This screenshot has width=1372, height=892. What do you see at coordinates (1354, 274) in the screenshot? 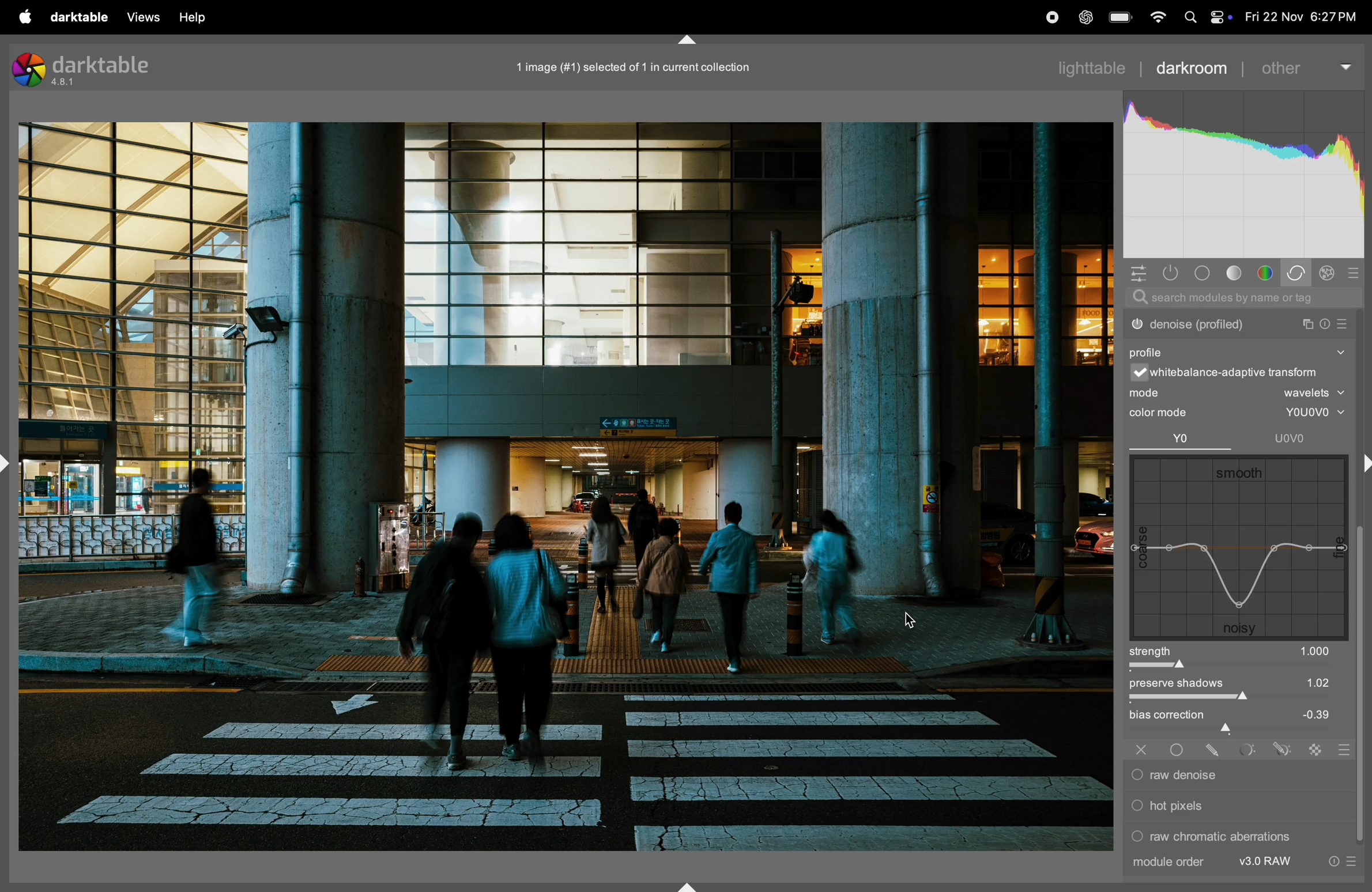
I see `presets` at bounding box center [1354, 274].